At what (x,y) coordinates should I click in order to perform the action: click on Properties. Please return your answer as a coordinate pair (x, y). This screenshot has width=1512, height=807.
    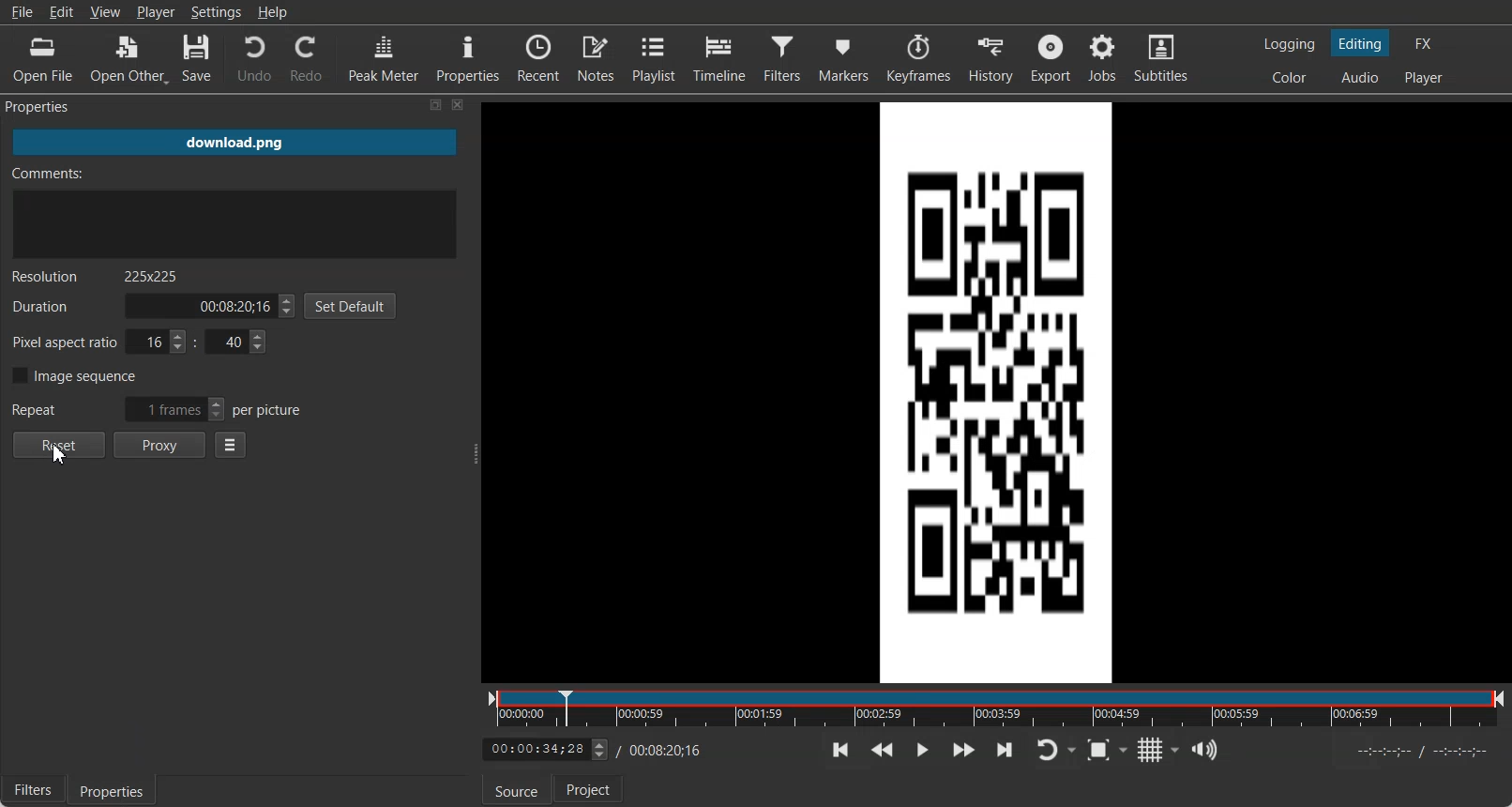
    Looking at the image, I should click on (466, 58).